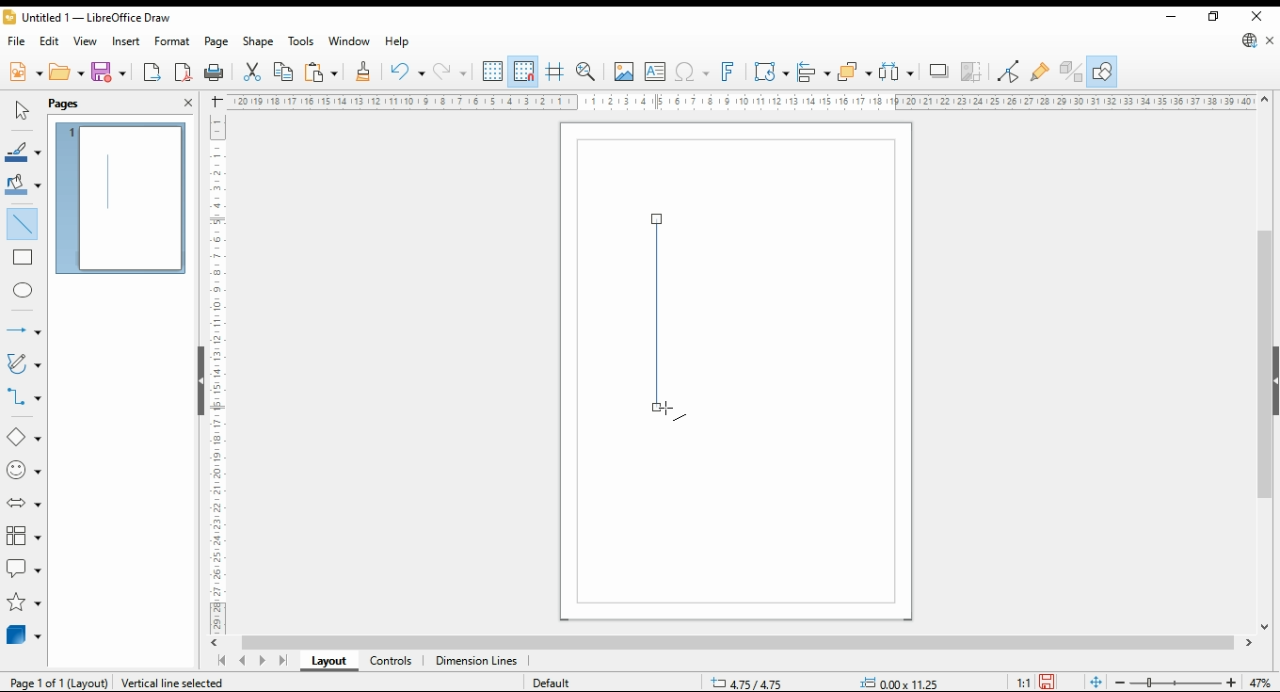  Describe the element at coordinates (86, 42) in the screenshot. I see `view` at that location.